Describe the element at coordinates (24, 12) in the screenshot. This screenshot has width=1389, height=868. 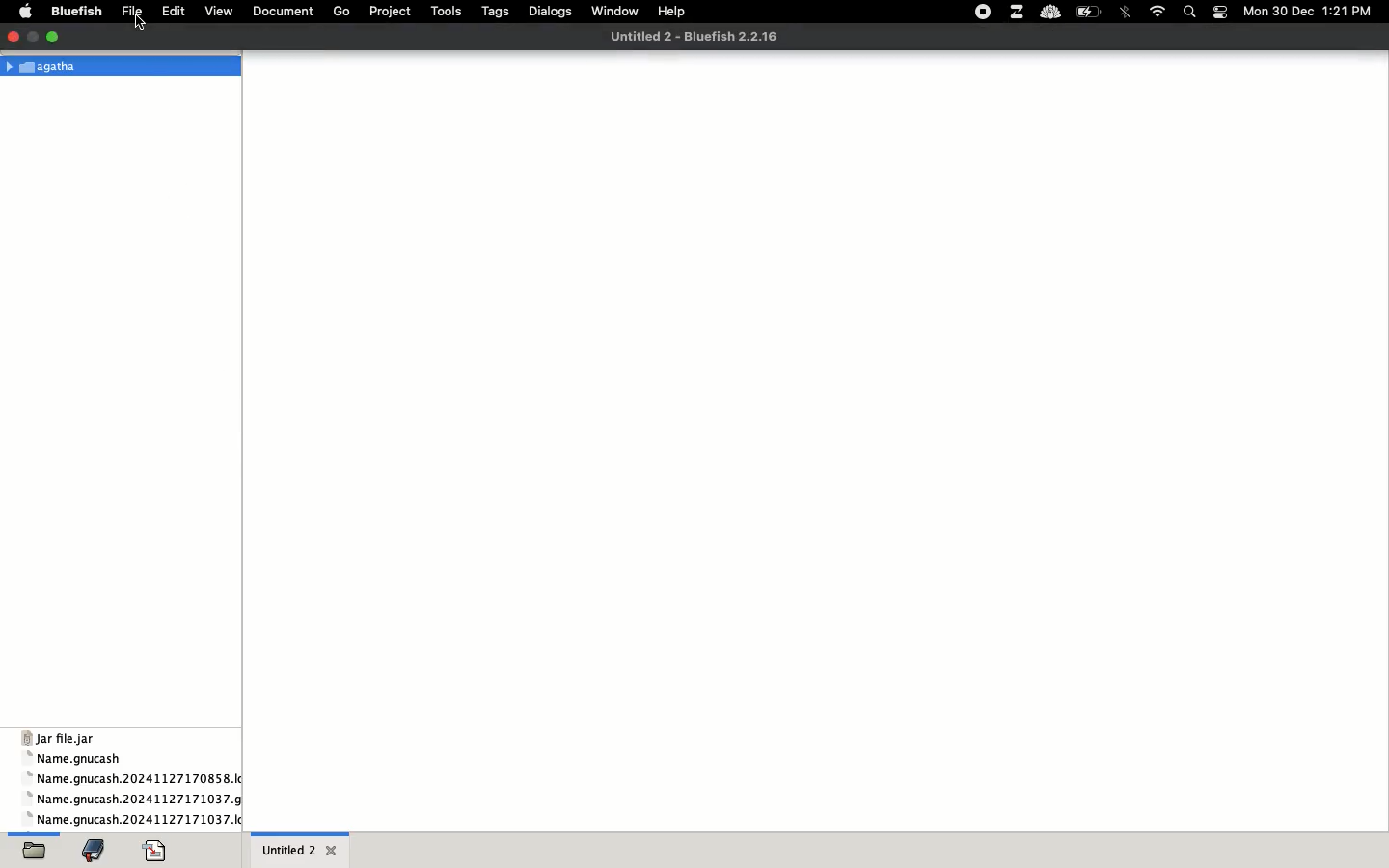
I see `apple` at that location.